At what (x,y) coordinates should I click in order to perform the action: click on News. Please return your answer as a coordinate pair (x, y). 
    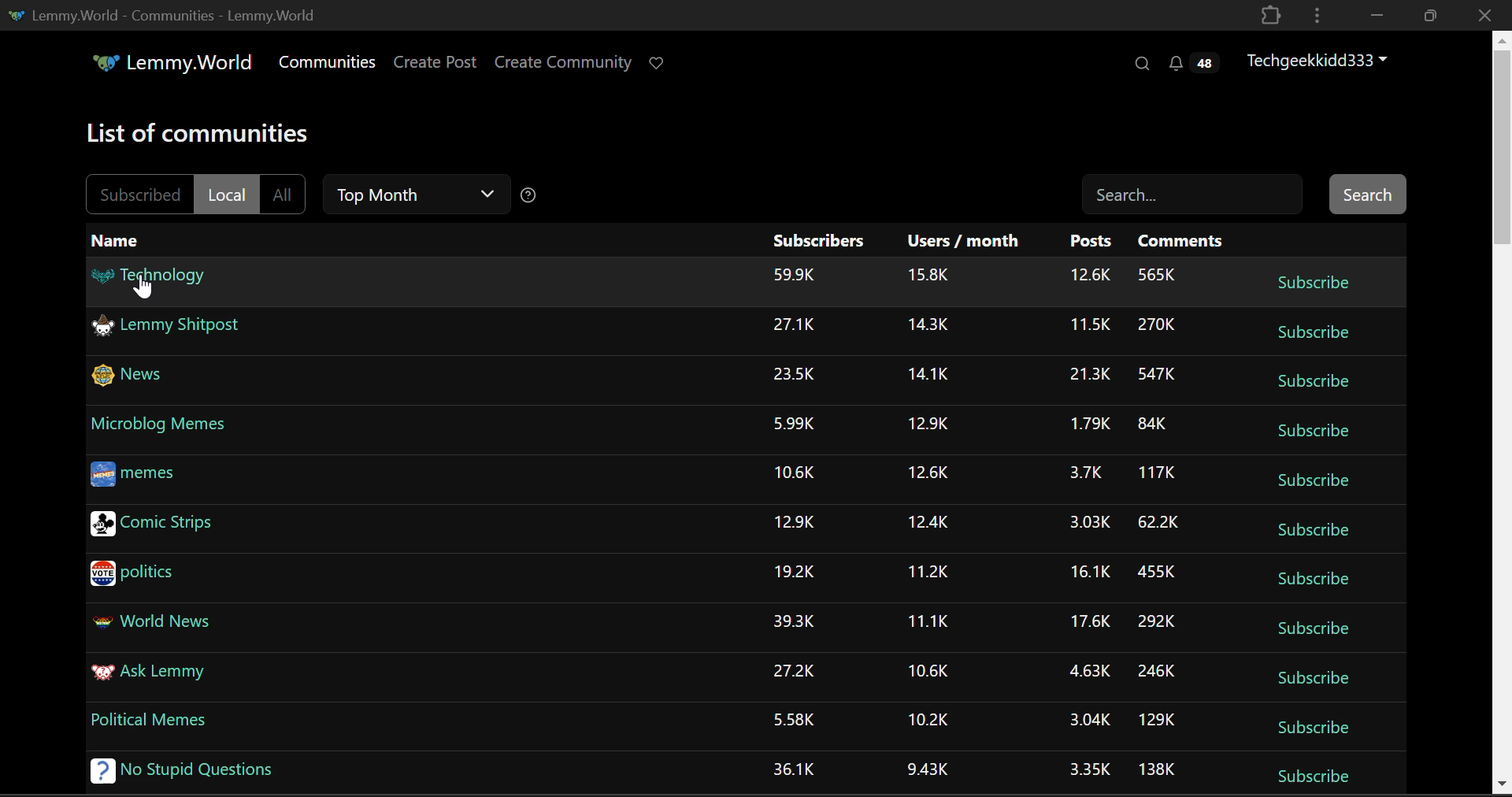
    Looking at the image, I should click on (128, 376).